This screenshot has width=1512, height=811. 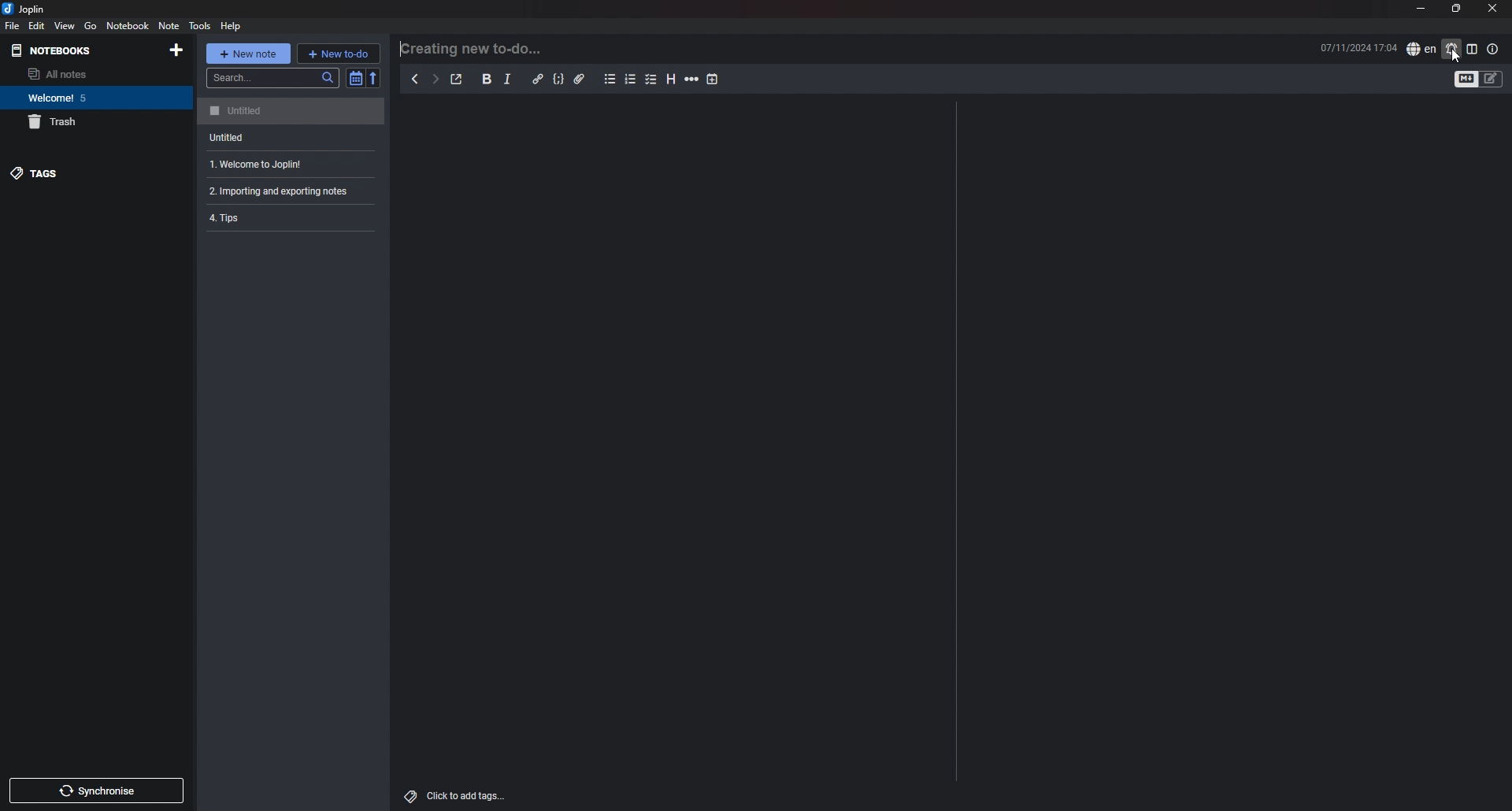 What do you see at coordinates (539, 79) in the screenshot?
I see `hyperlink` at bounding box center [539, 79].